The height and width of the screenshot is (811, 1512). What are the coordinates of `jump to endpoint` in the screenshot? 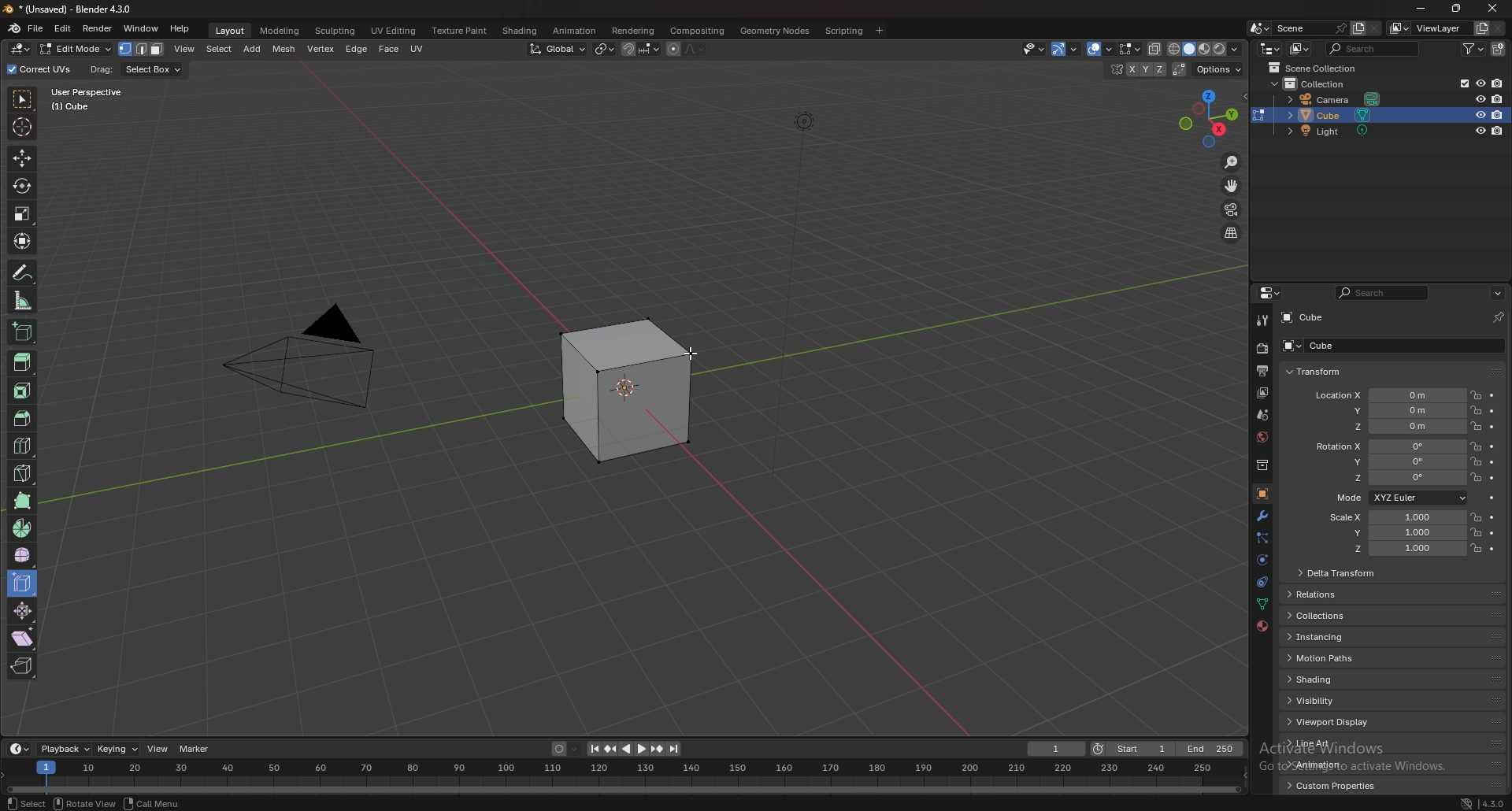 It's located at (592, 749).